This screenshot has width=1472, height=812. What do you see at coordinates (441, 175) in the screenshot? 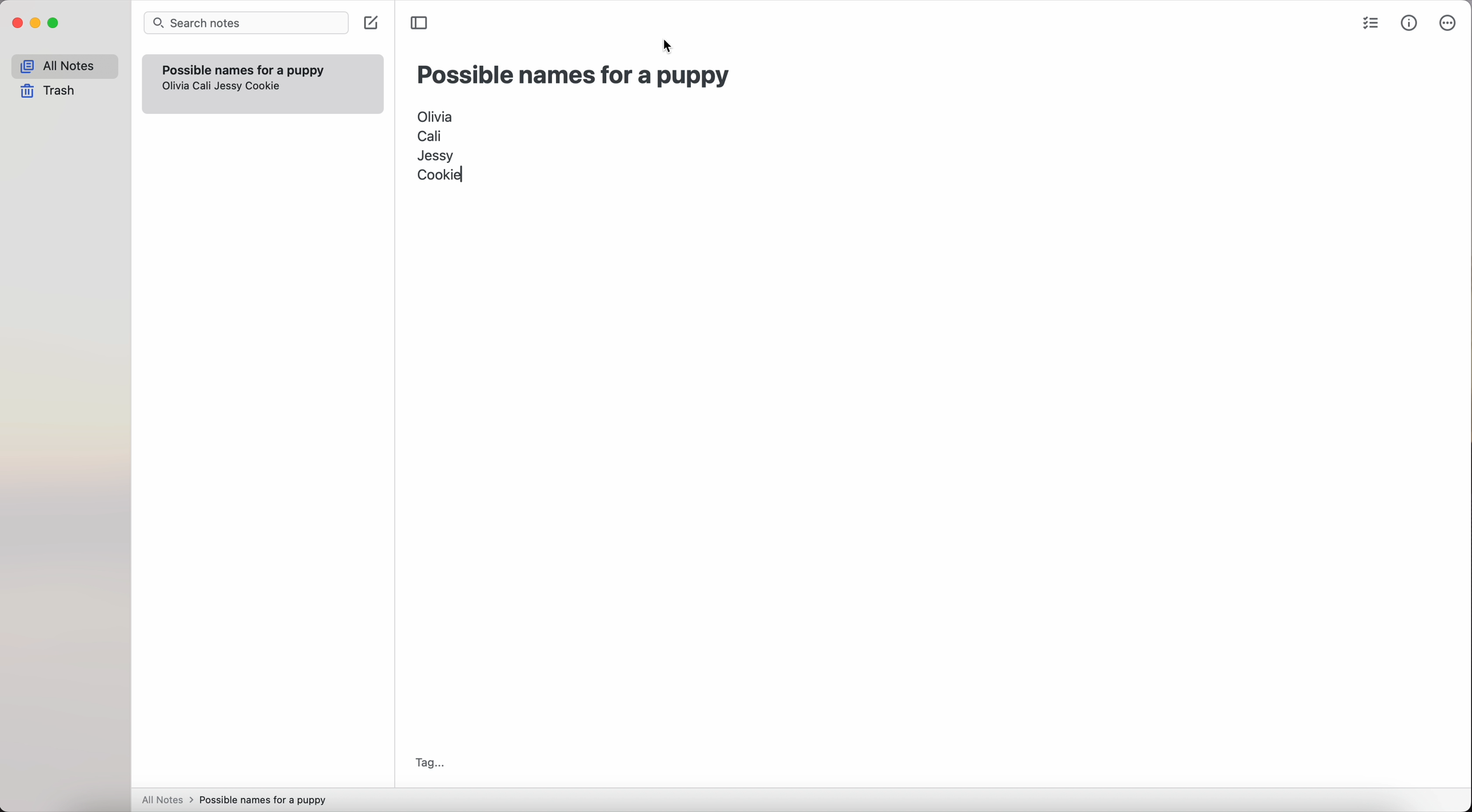
I see `Cookie` at bounding box center [441, 175].